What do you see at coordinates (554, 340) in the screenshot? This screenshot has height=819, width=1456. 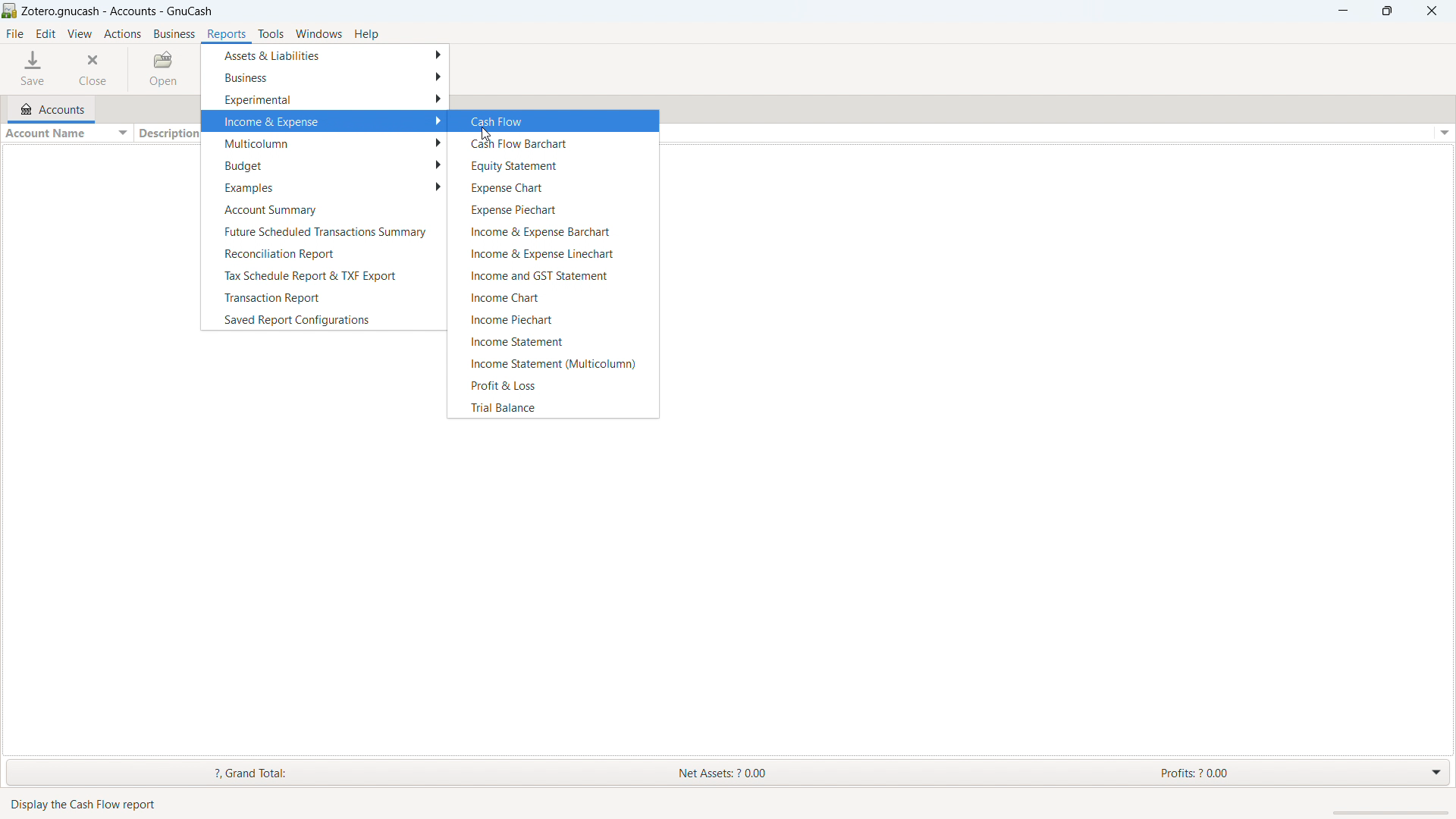 I see `income statement` at bounding box center [554, 340].